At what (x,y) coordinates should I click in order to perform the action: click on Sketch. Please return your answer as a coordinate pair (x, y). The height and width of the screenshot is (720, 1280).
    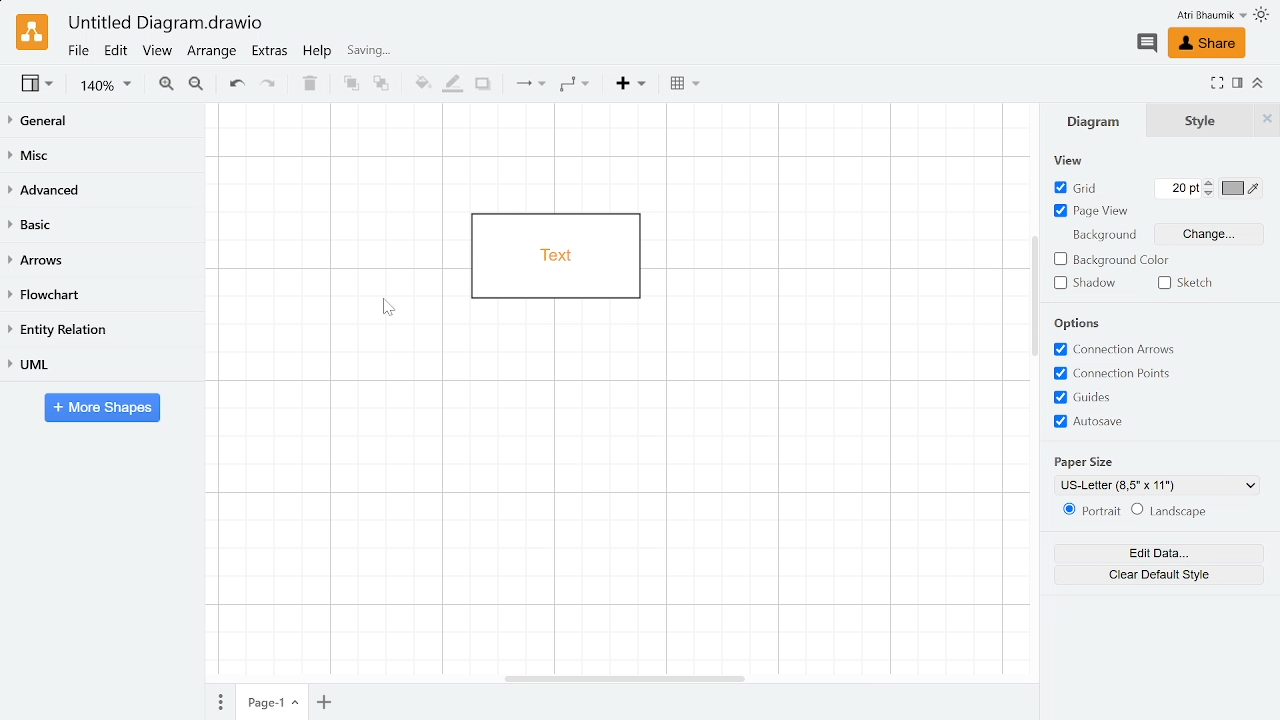
    Looking at the image, I should click on (1190, 284).